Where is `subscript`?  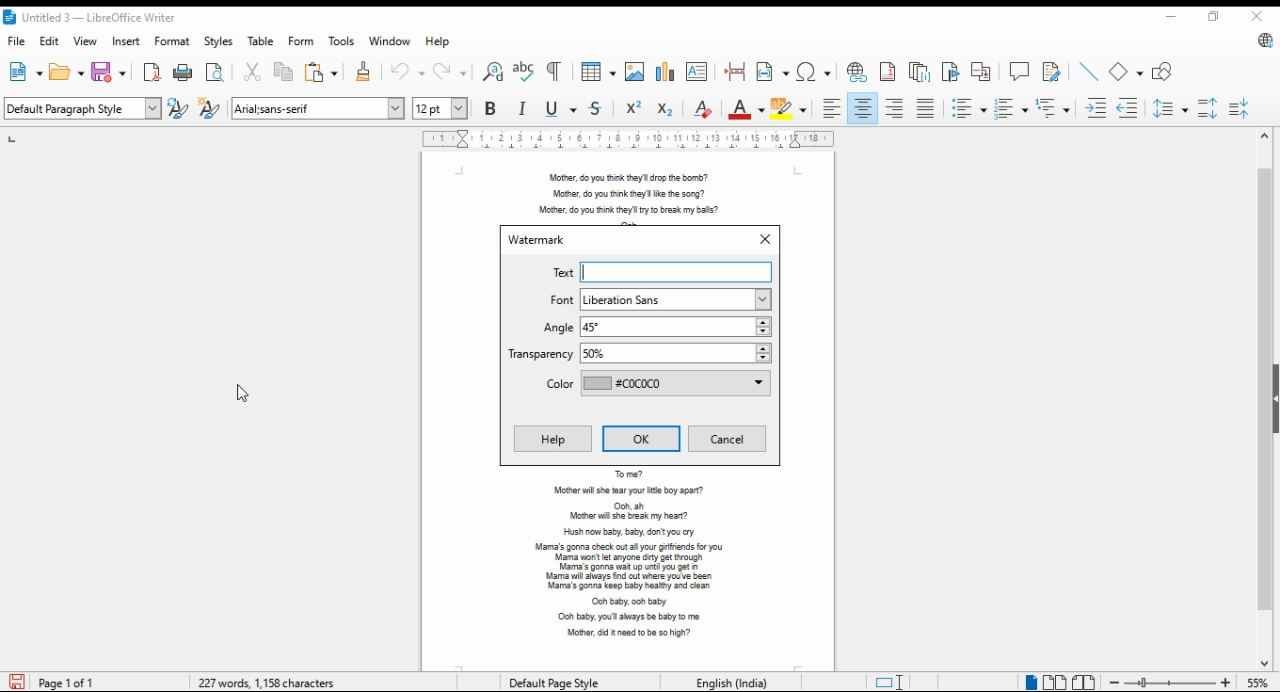
subscript is located at coordinates (665, 110).